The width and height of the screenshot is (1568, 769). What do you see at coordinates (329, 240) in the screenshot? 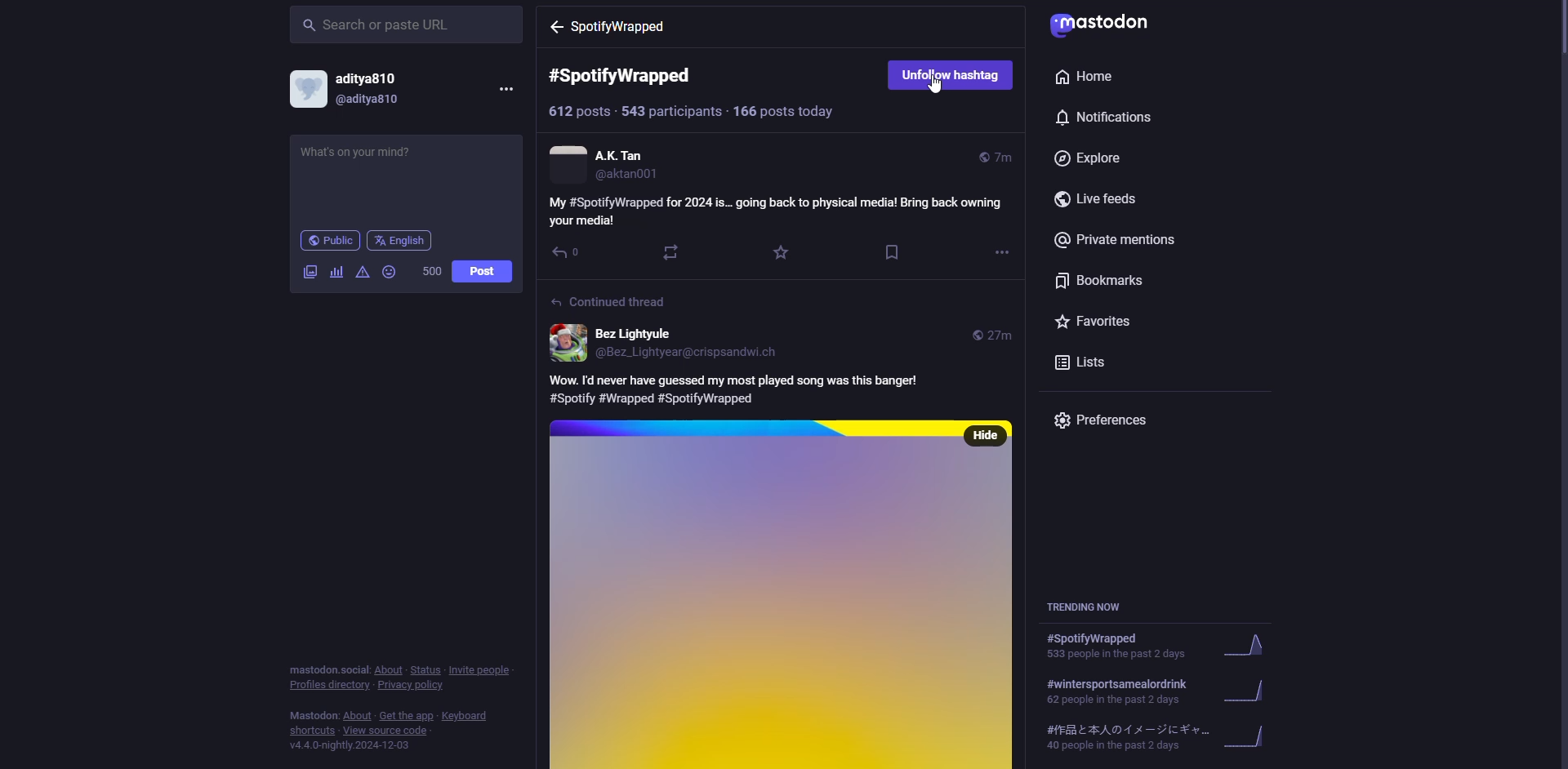
I see `public` at bounding box center [329, 240].